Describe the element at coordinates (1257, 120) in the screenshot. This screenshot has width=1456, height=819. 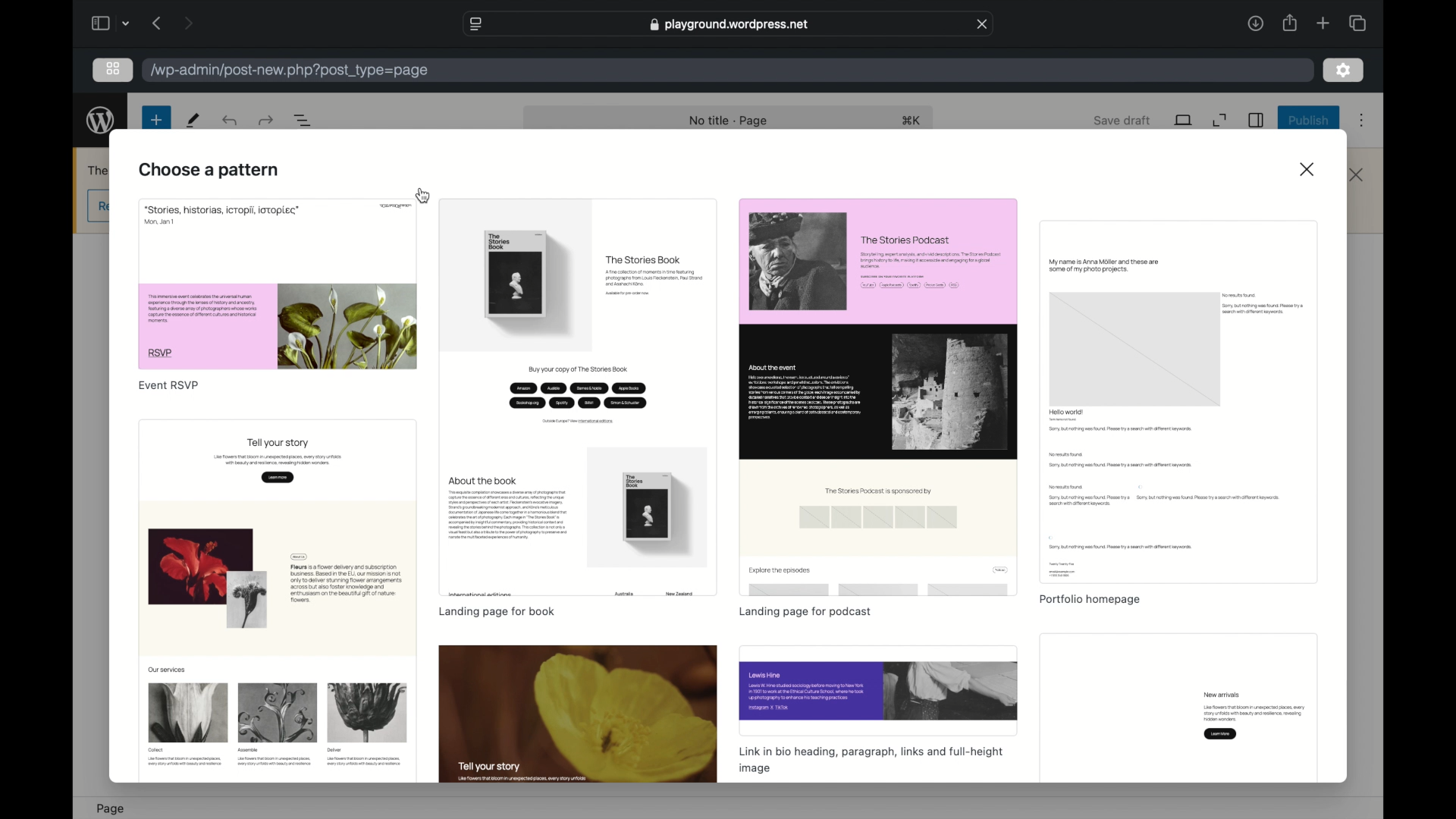
I see `sidebar` at that location.